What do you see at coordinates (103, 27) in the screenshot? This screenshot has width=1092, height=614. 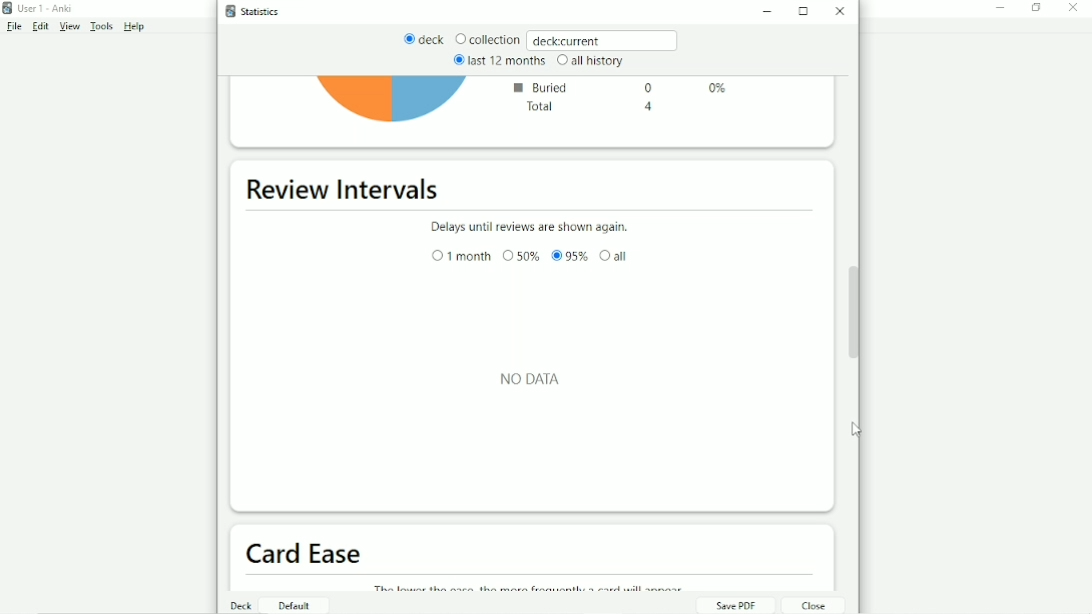 I see `Tools` at bounding box center [103, 27].